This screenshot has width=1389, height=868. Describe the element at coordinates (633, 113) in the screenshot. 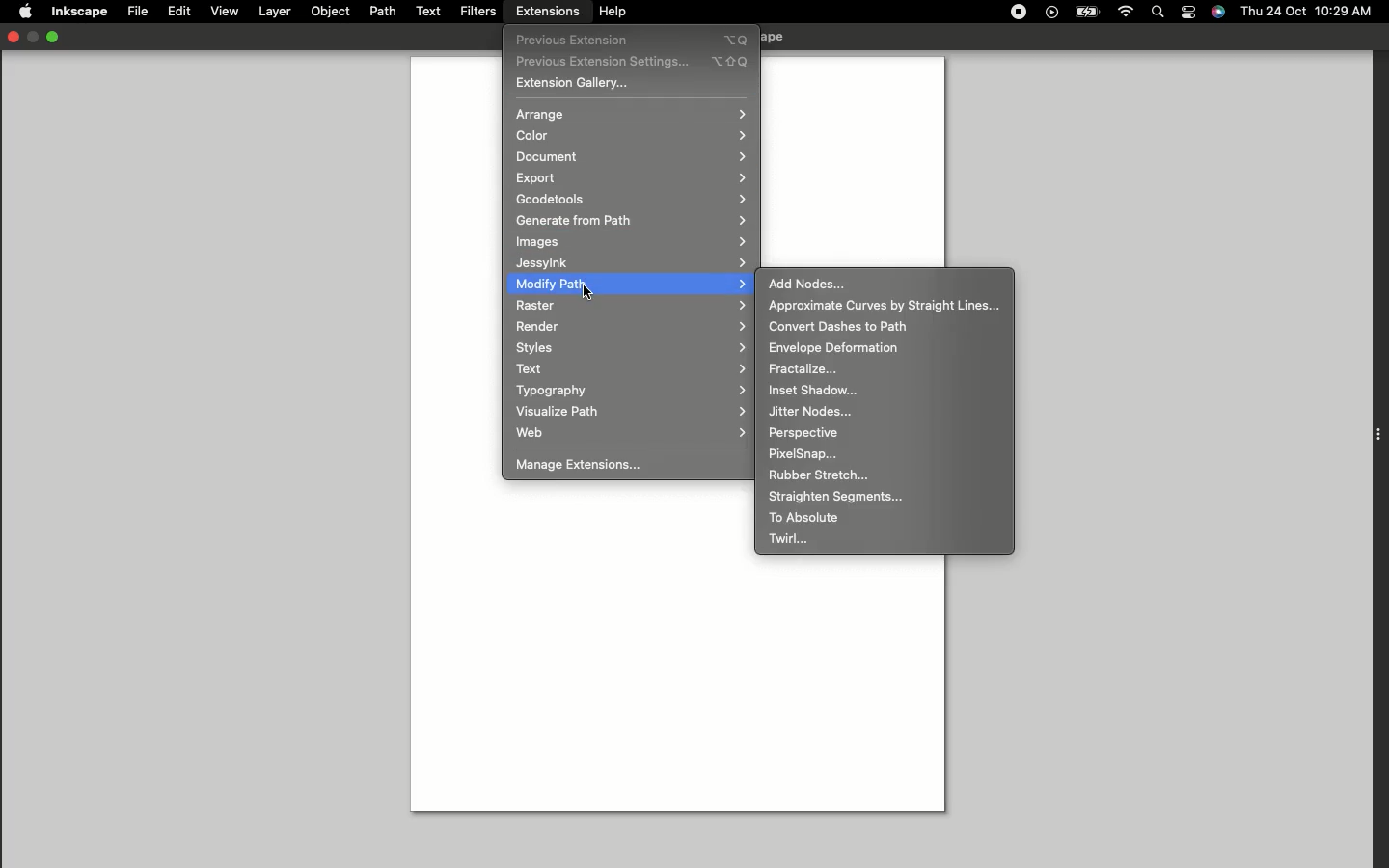

I see `Arrange` at that location.